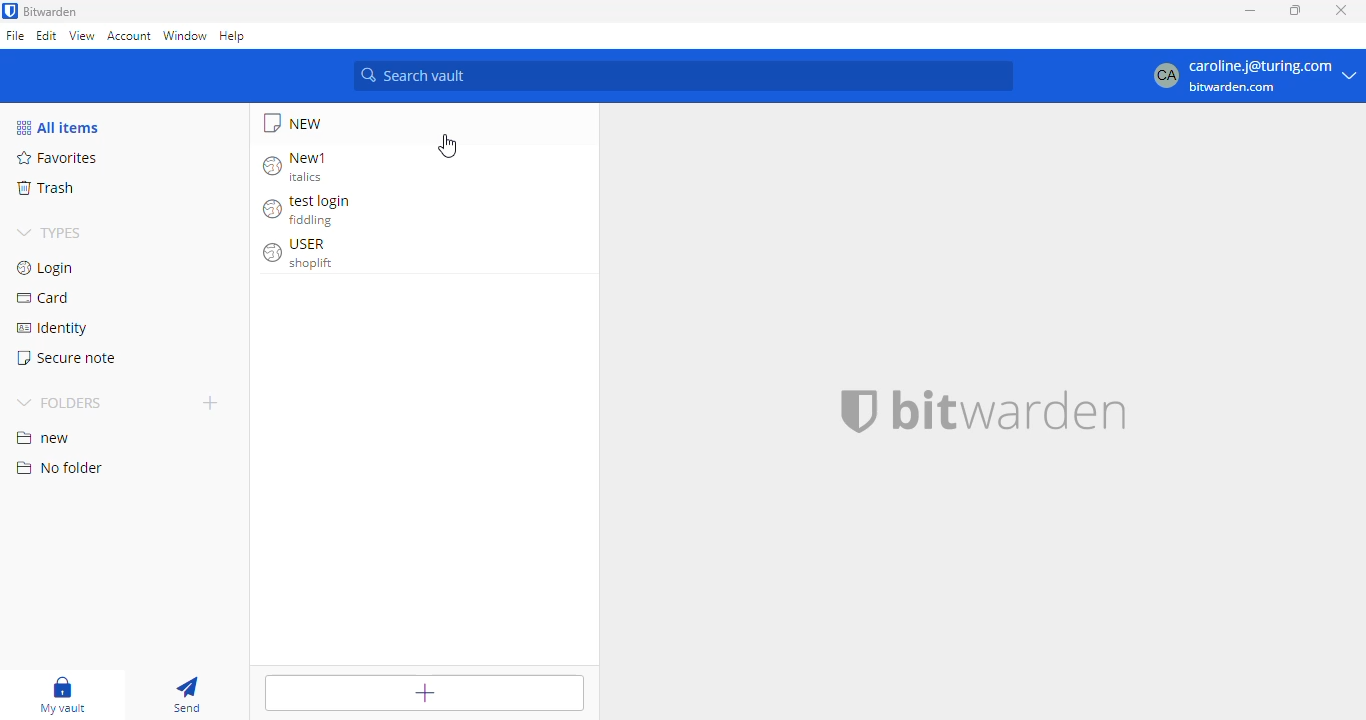 The image size is (1366, 720). I want to click on window, so click(185, 35).